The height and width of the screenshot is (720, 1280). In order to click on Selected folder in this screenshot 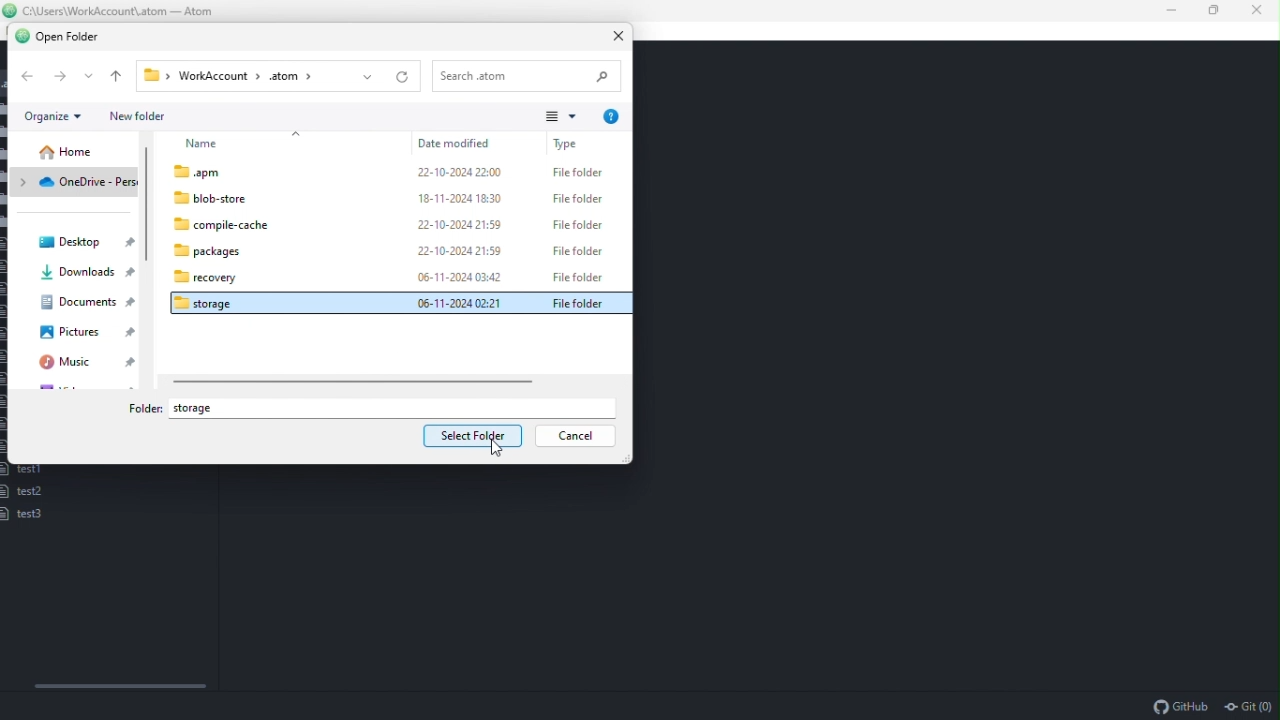, I will do `click(397, 302)`.